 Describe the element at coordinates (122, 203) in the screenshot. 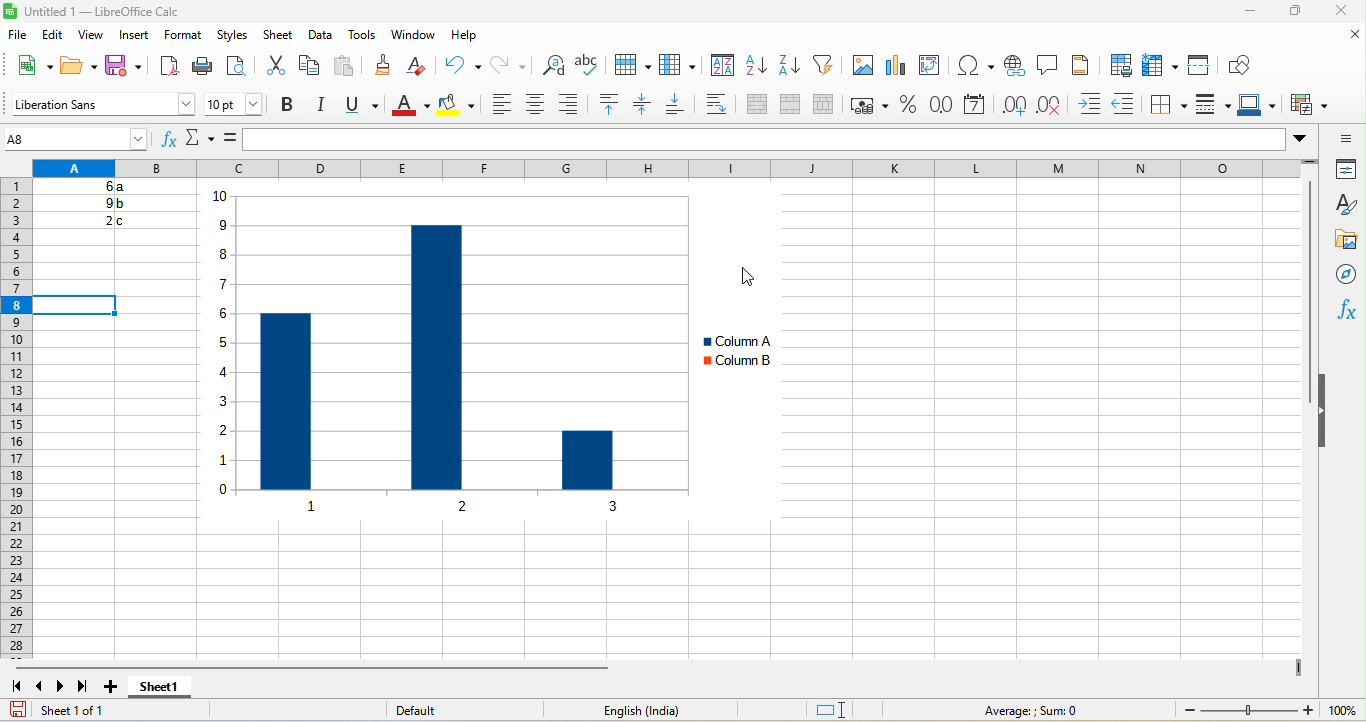

I see `b` at that location.